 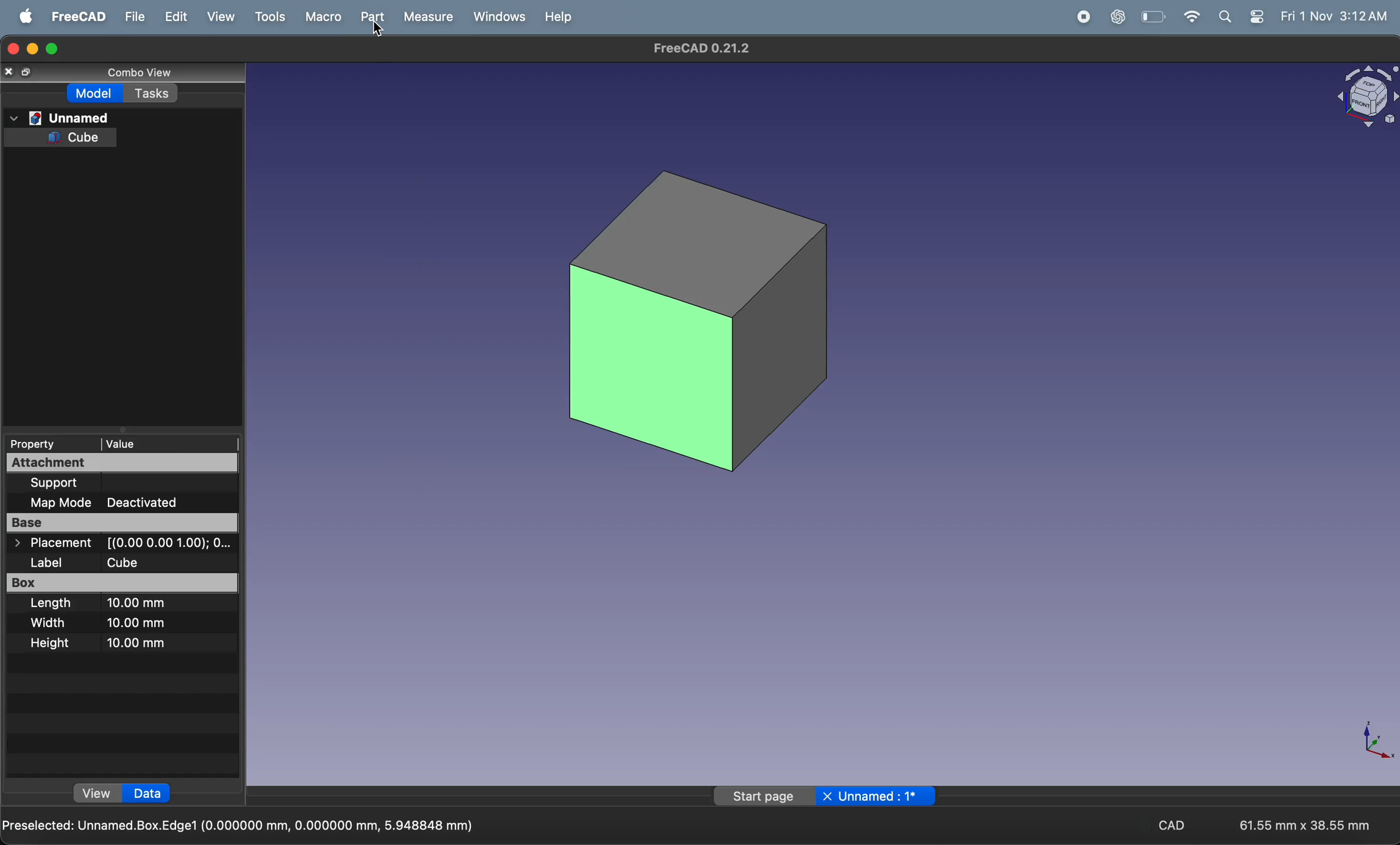 I want to click on axis, so click(x=1368, y=742).